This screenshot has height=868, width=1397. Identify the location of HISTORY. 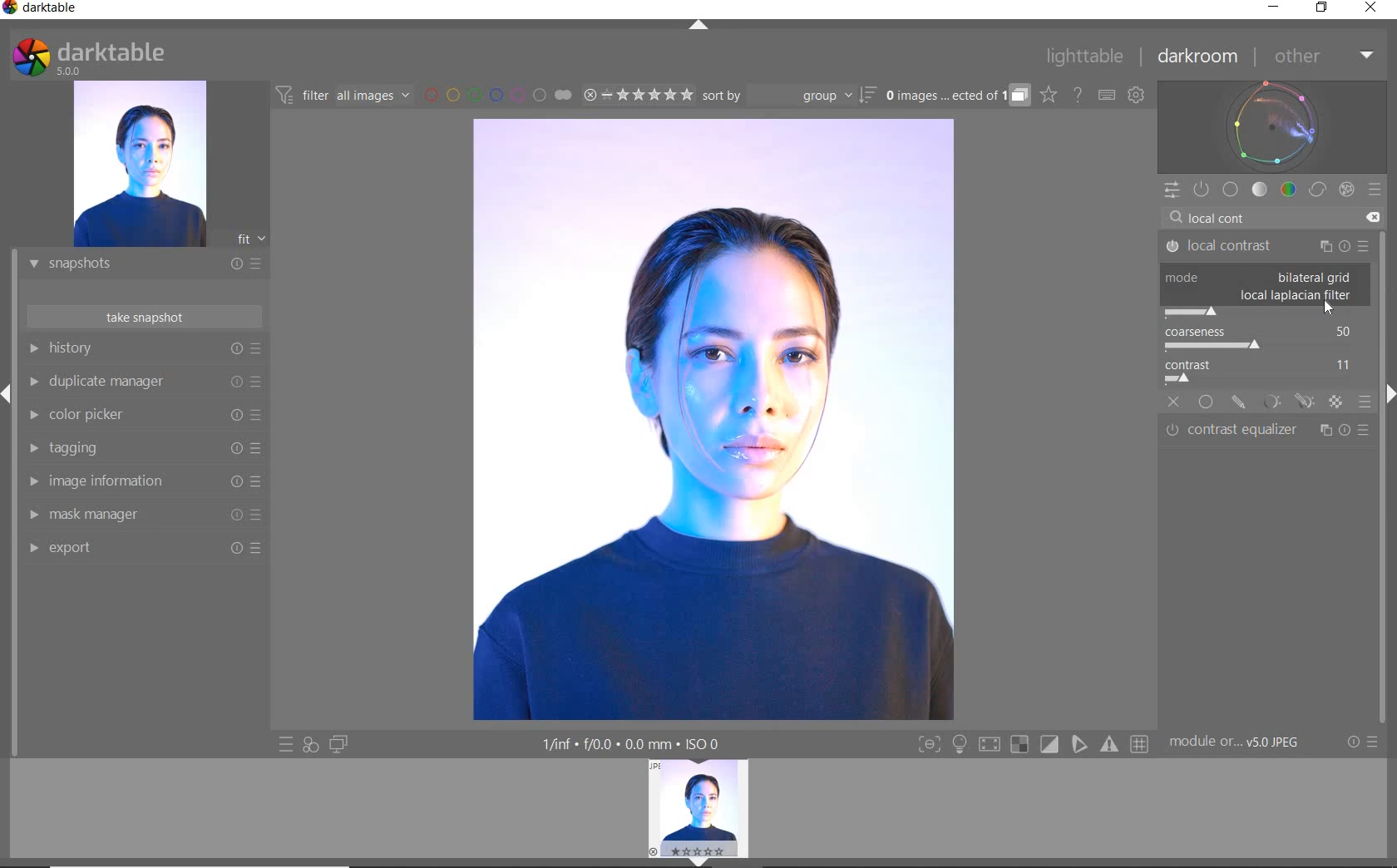
(146, 352).